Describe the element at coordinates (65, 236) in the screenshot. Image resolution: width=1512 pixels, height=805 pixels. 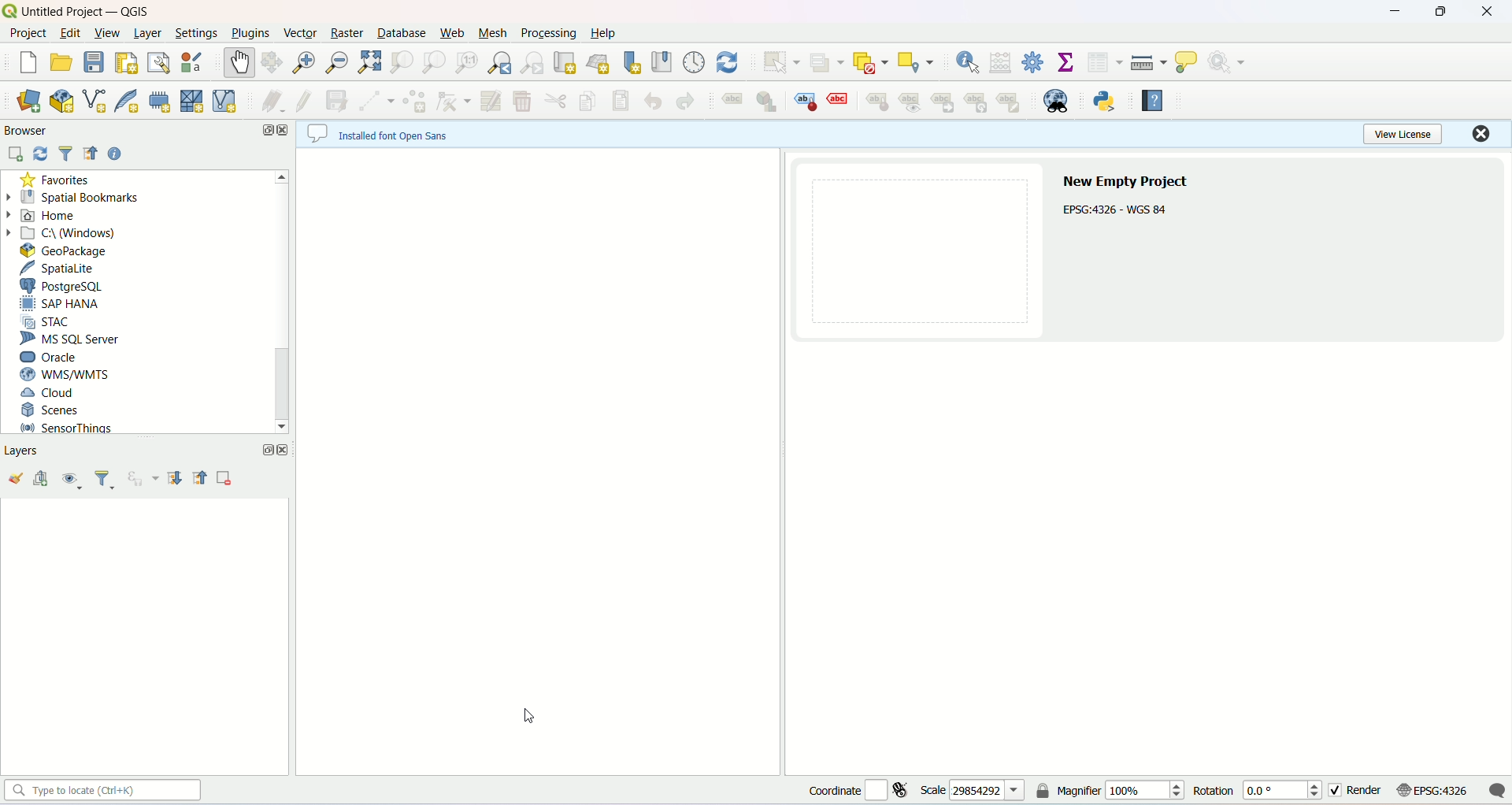
I see `c\windows` at that location.